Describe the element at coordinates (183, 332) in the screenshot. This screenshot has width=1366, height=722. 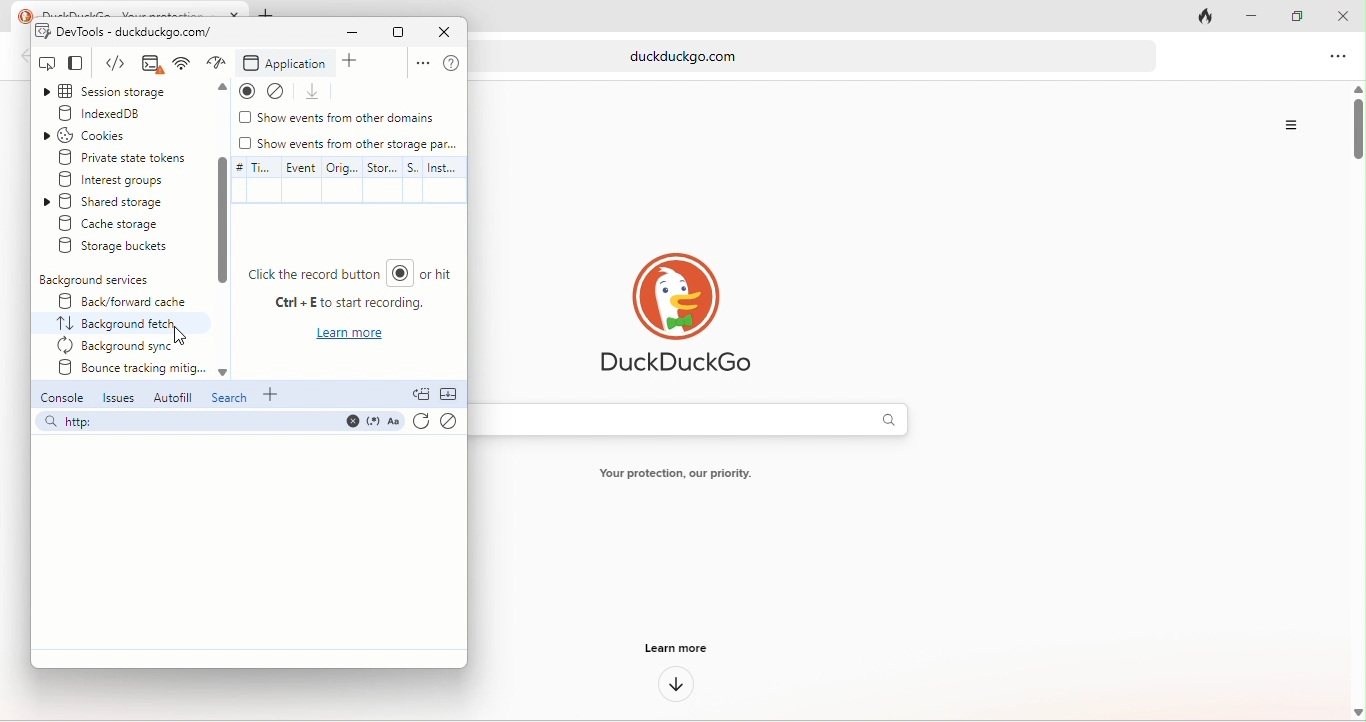
I see `cursor movement` at that location.